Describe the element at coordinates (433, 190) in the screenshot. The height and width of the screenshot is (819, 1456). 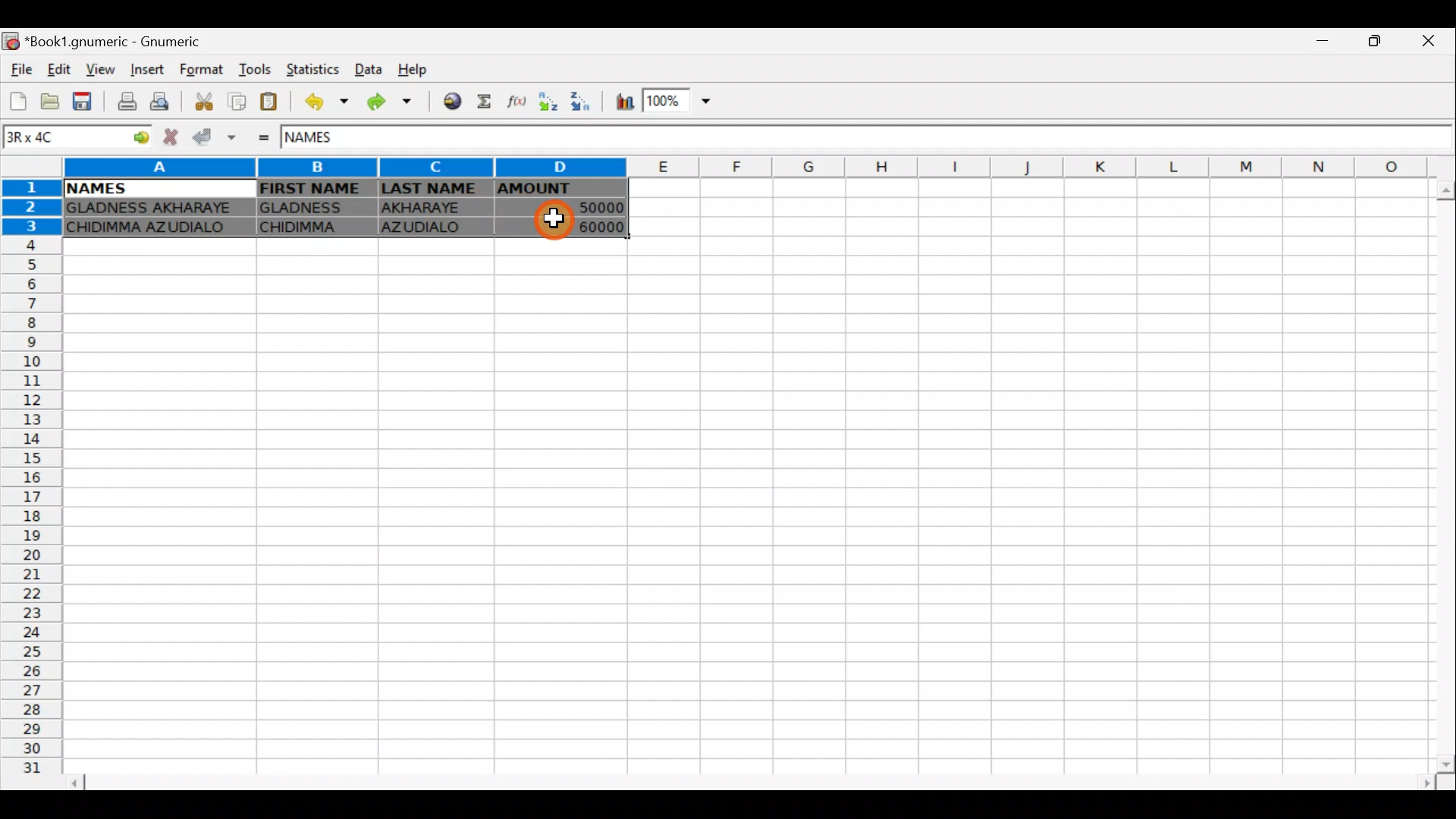
I see `LAST NAME` at that location.